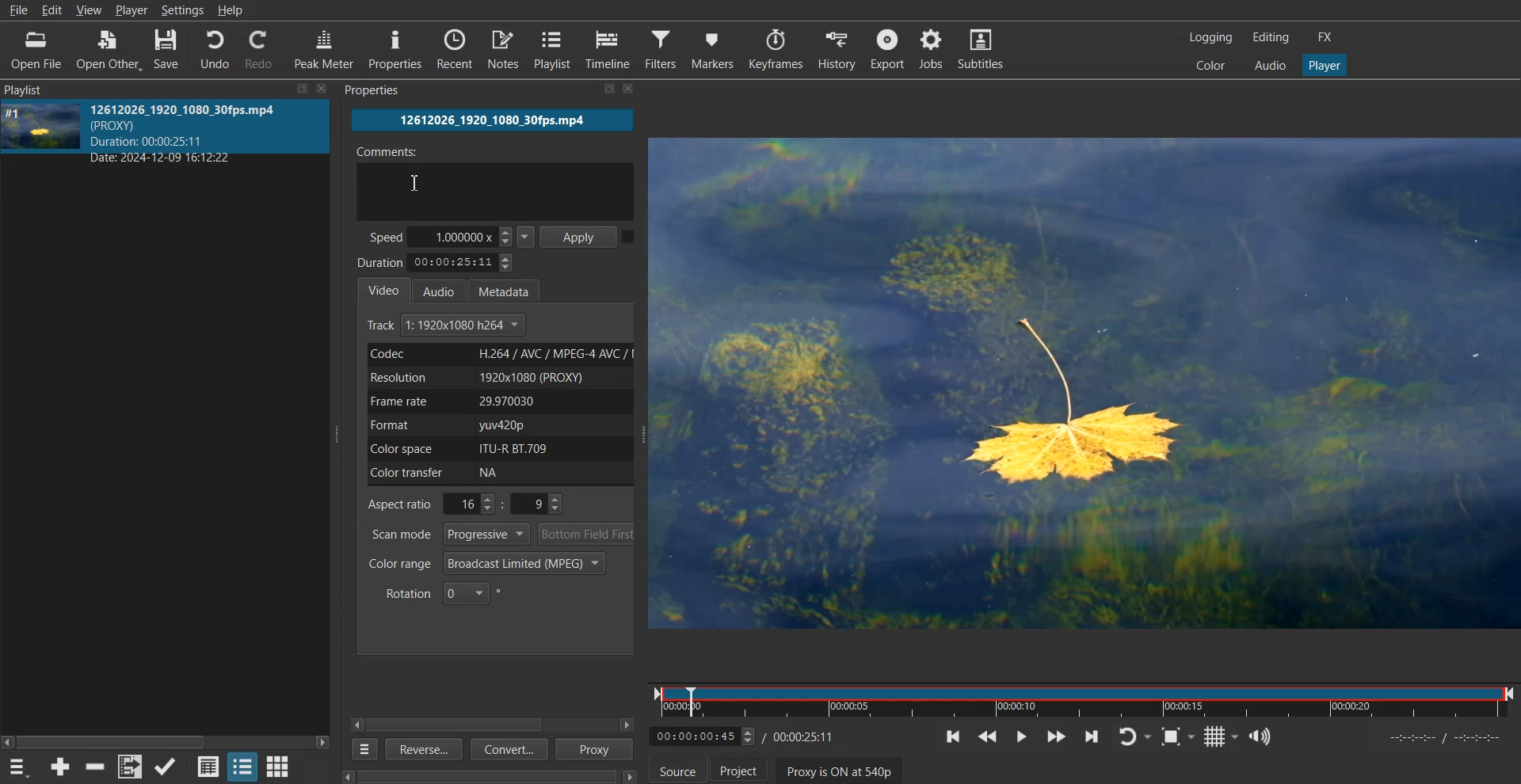 The image size is (1521, 784). I want to click on Redo, so click(262, 48).